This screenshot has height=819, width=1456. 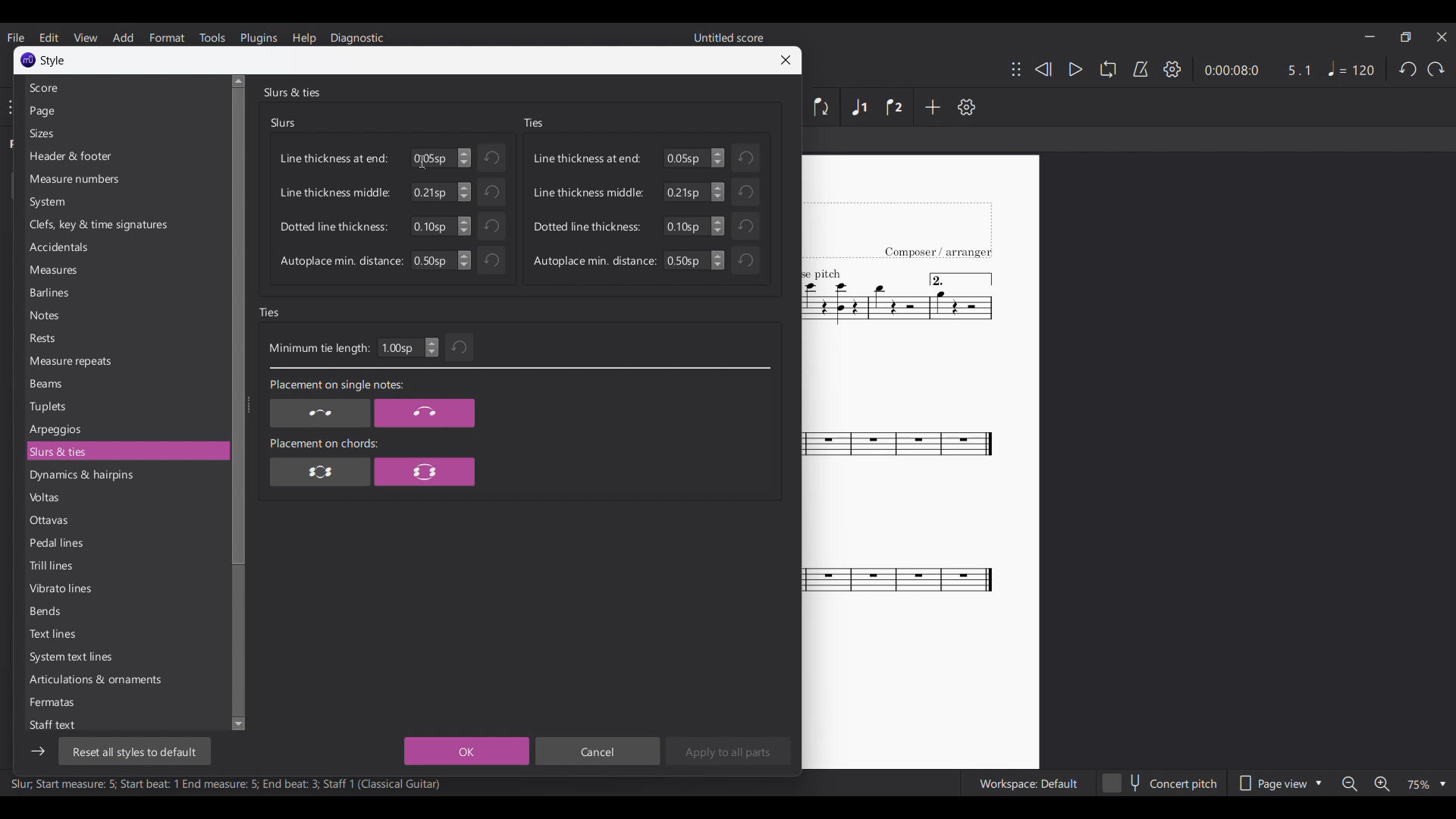 I want to click on Undo, so click(x=491, y=260).